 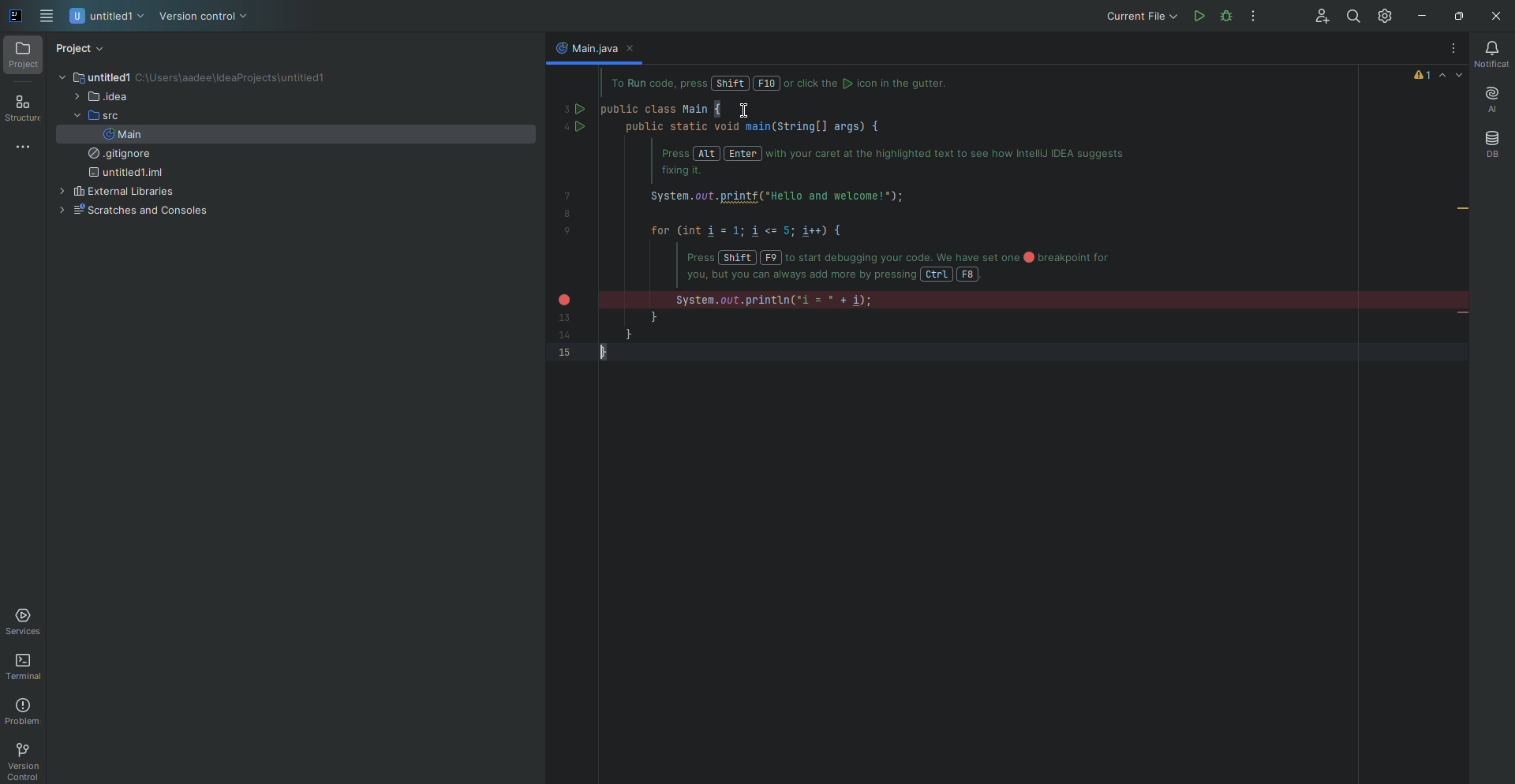 What do you see at coordinates (1387, 15) in the screenshot?
I see `Settings` at bounding box center [1387, 15].